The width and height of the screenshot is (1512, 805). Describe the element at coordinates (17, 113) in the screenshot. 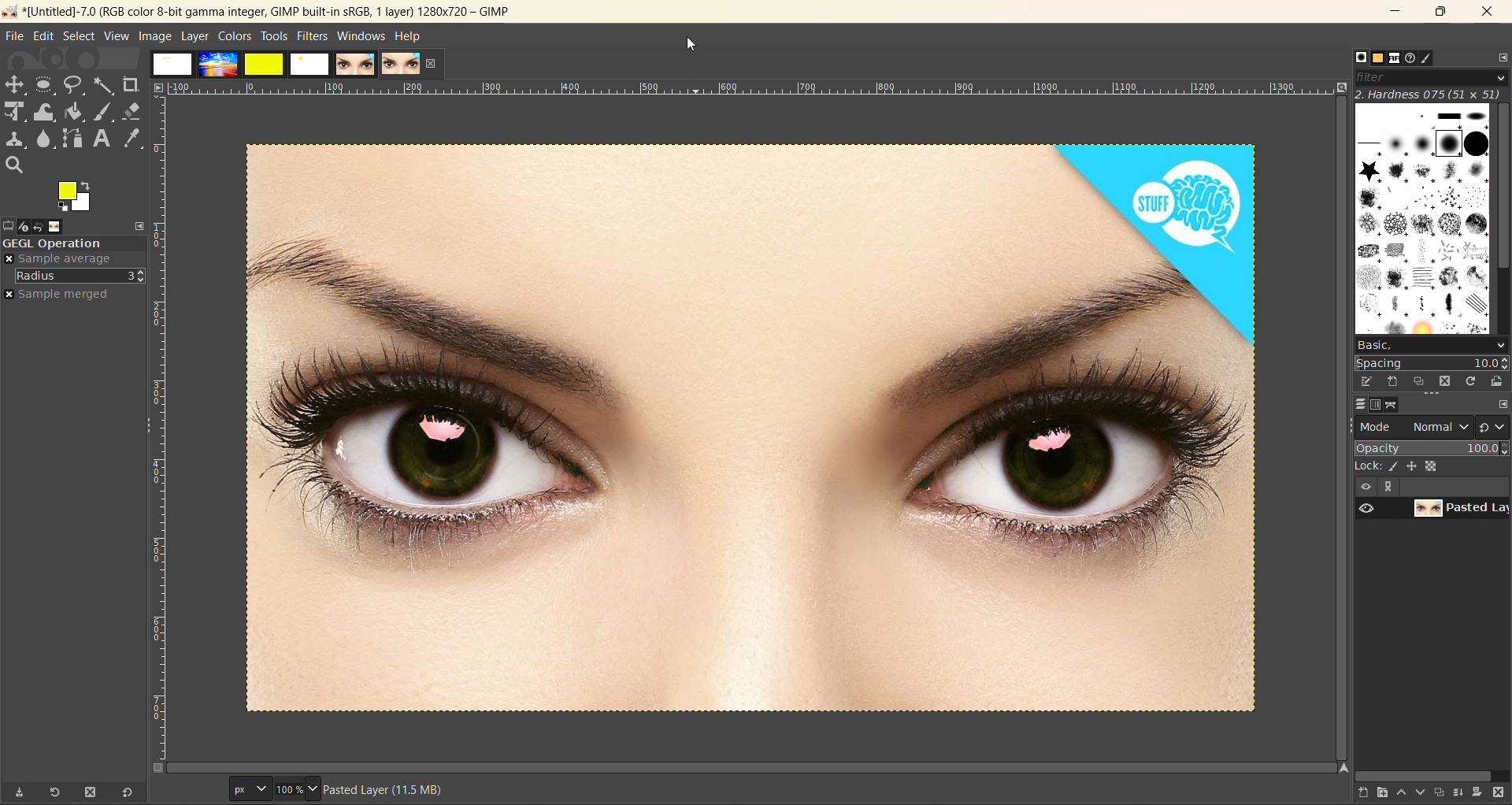

I see `Scale` at that location.